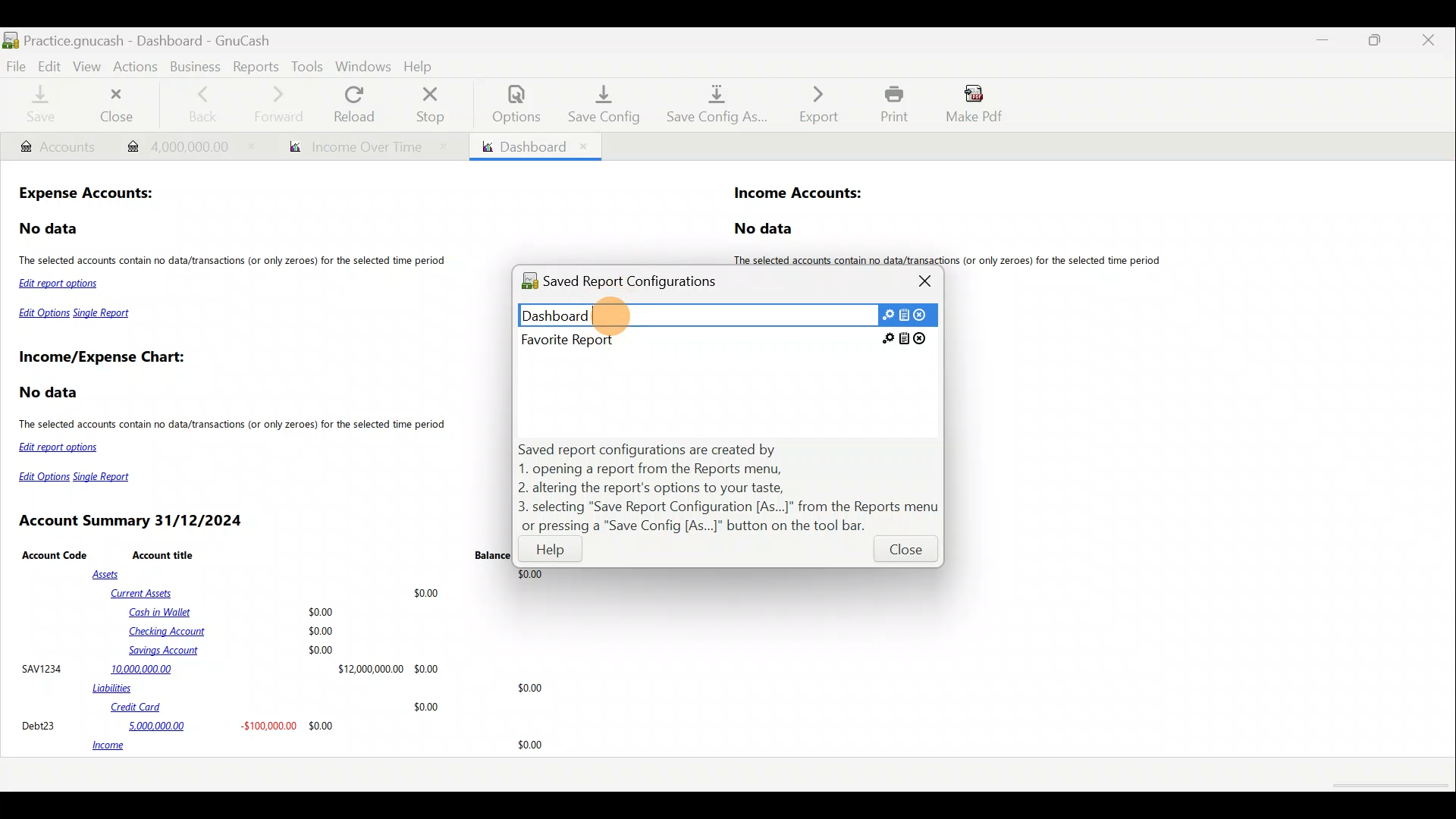 Image resolution: width=1456 pixels, height=819 pixels. Describe the element at coordinates (509, 104) in the screenshot. I see `Options` at that location.